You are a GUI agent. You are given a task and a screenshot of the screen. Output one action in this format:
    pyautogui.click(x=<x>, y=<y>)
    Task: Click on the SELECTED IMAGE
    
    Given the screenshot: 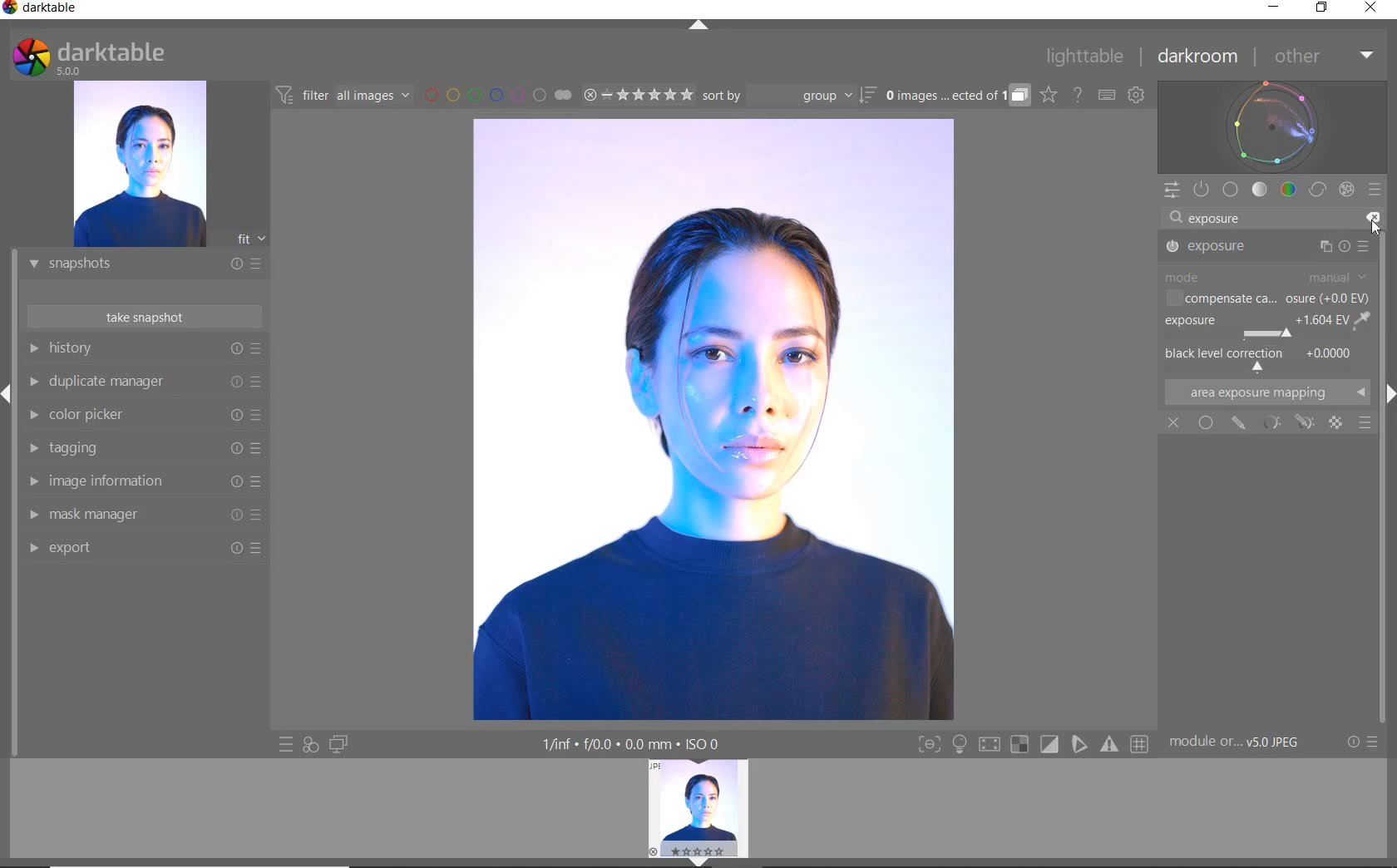 What is the action you would take?
    pyautogui.click(x=712, y=419)
    